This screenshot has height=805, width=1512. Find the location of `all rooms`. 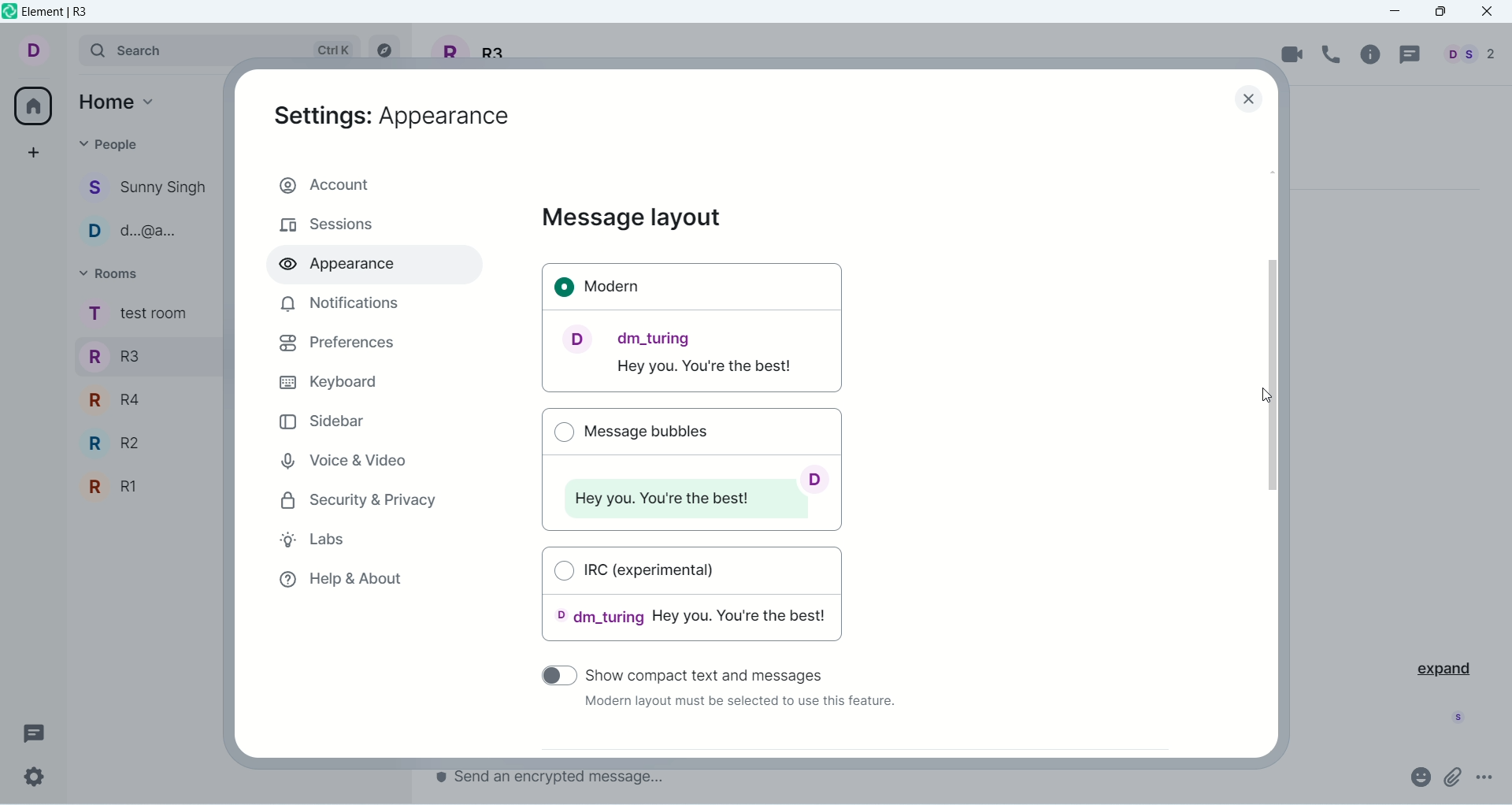

all rooms is located at coordinates (29, 106).